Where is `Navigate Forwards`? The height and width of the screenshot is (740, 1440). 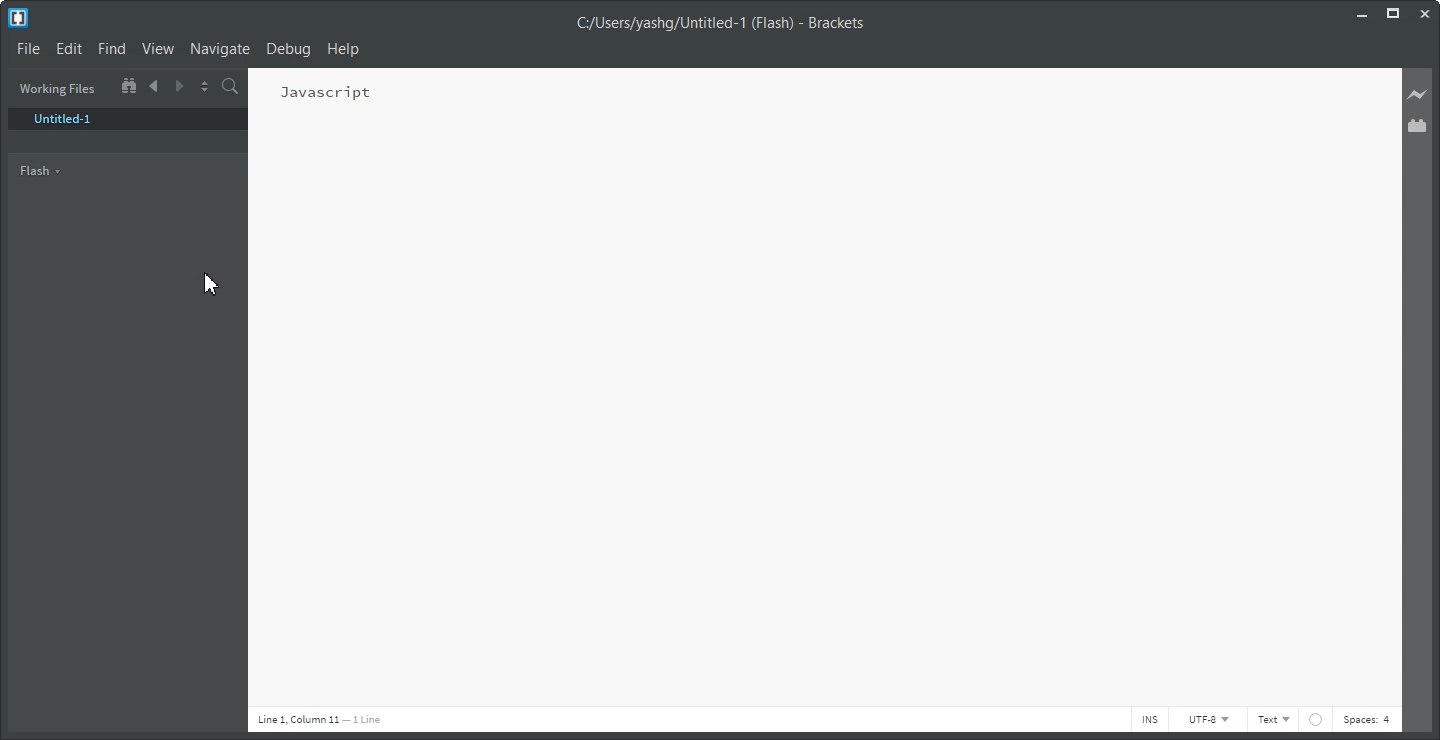
Navigate Forwards is located at coordinates (178, 87).